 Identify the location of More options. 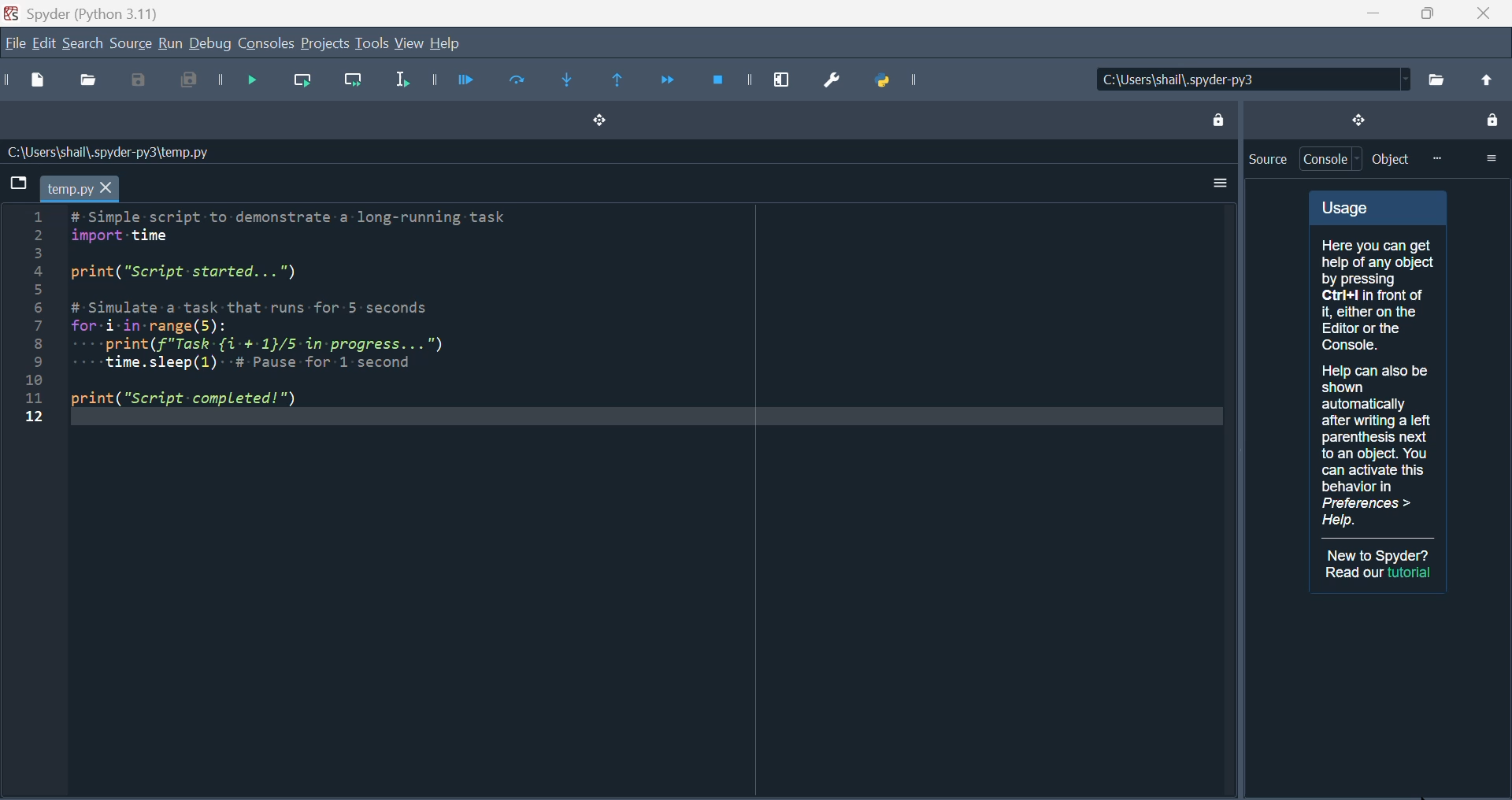
(1216, 183).